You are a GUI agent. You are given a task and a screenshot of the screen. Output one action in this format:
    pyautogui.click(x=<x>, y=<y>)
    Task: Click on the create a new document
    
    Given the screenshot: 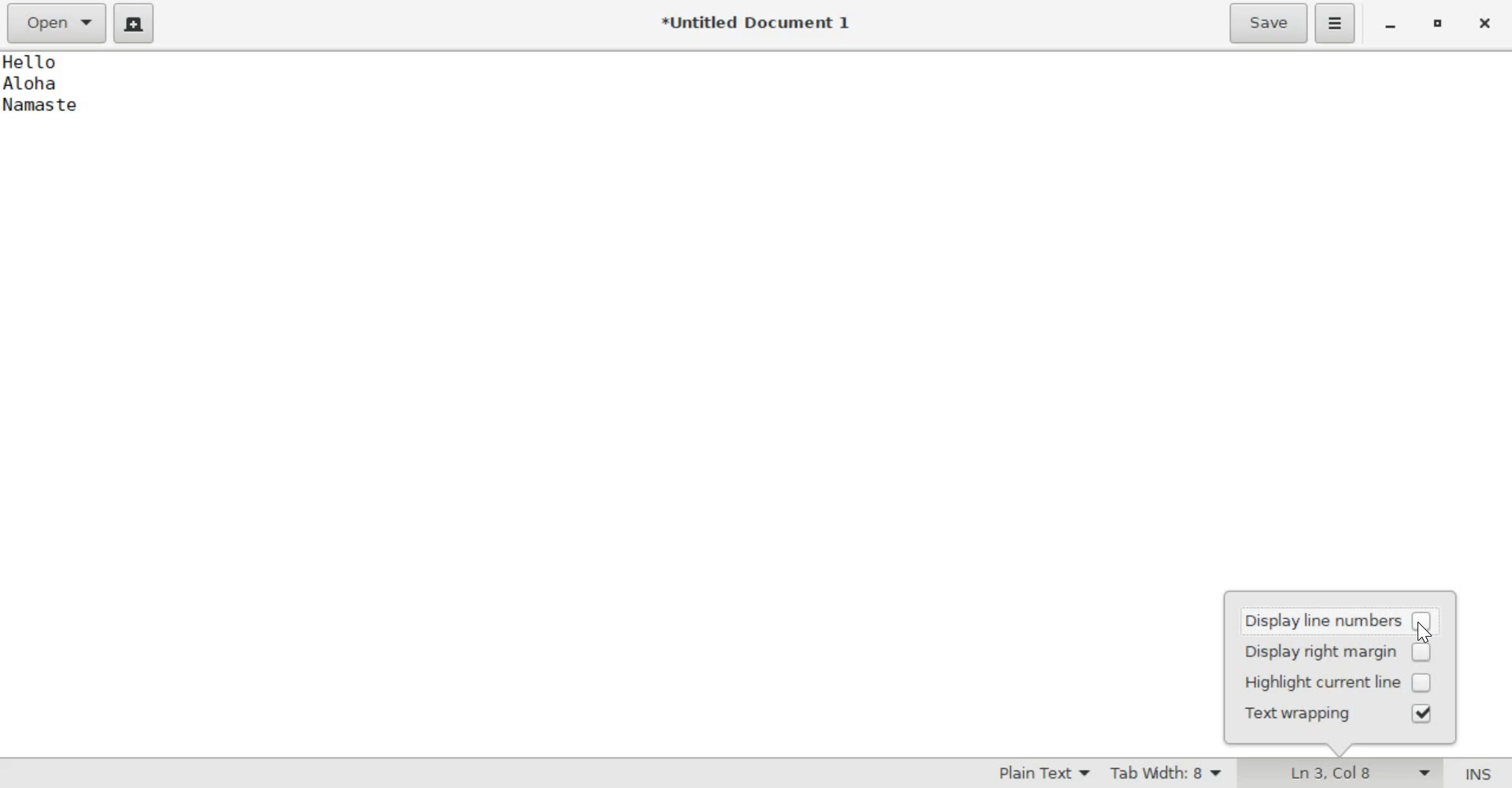 What is the action you would take?
    pyautogui.click(x=135, y=23)
    